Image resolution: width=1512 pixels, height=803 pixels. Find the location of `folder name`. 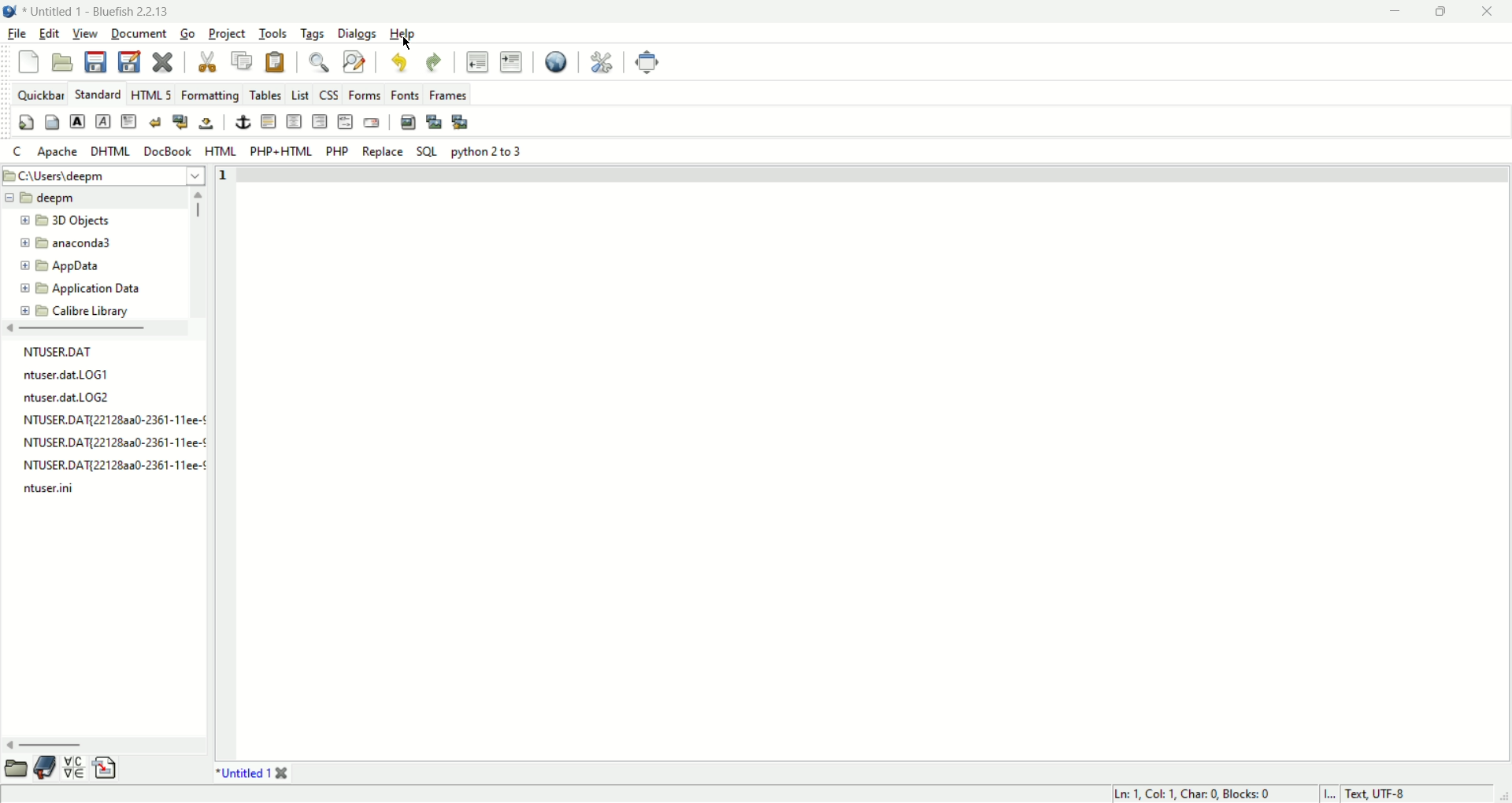

folder name is located at coordinates (61, 267).